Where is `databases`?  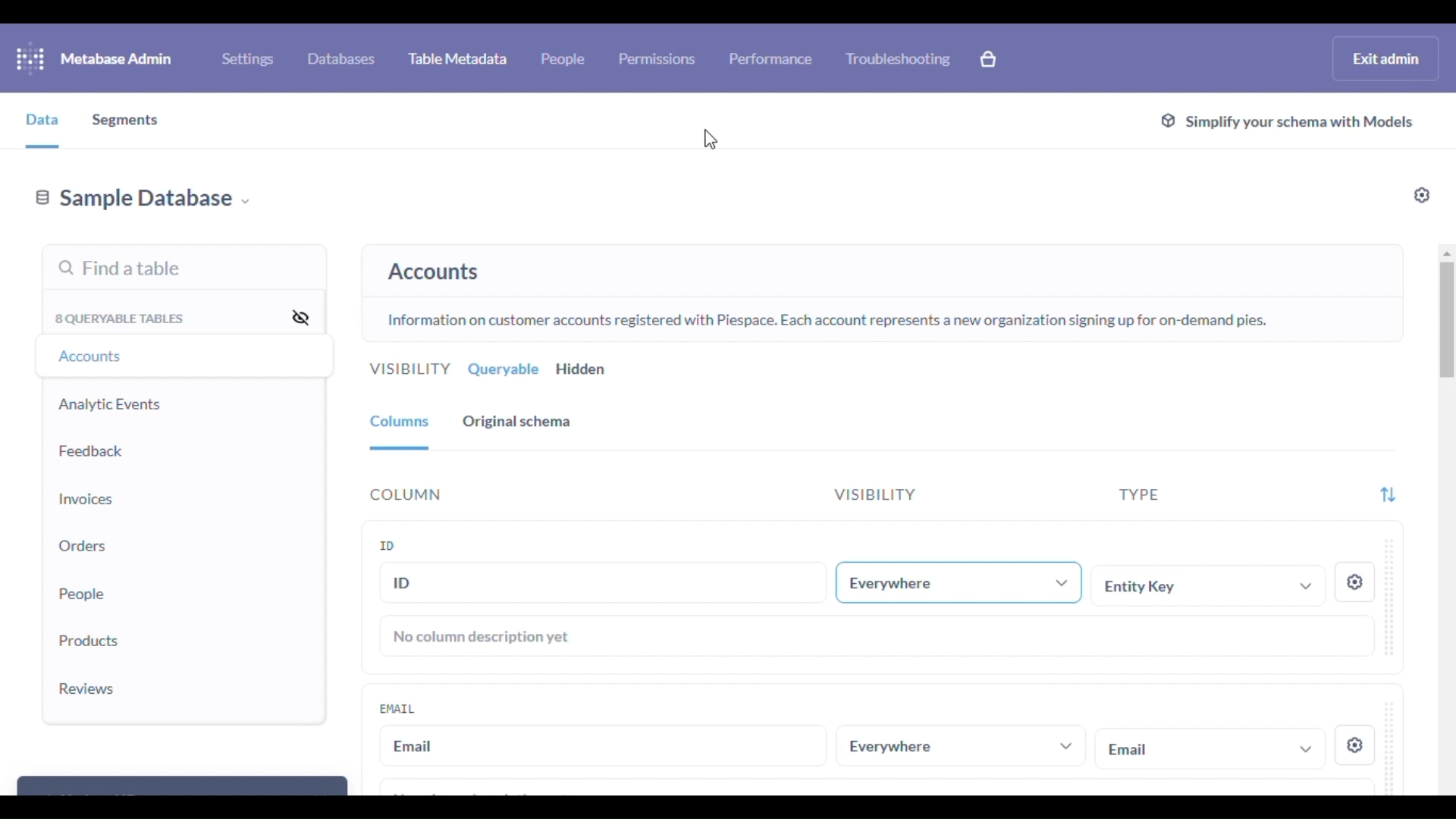 databases is located at coordinates (341, 58).